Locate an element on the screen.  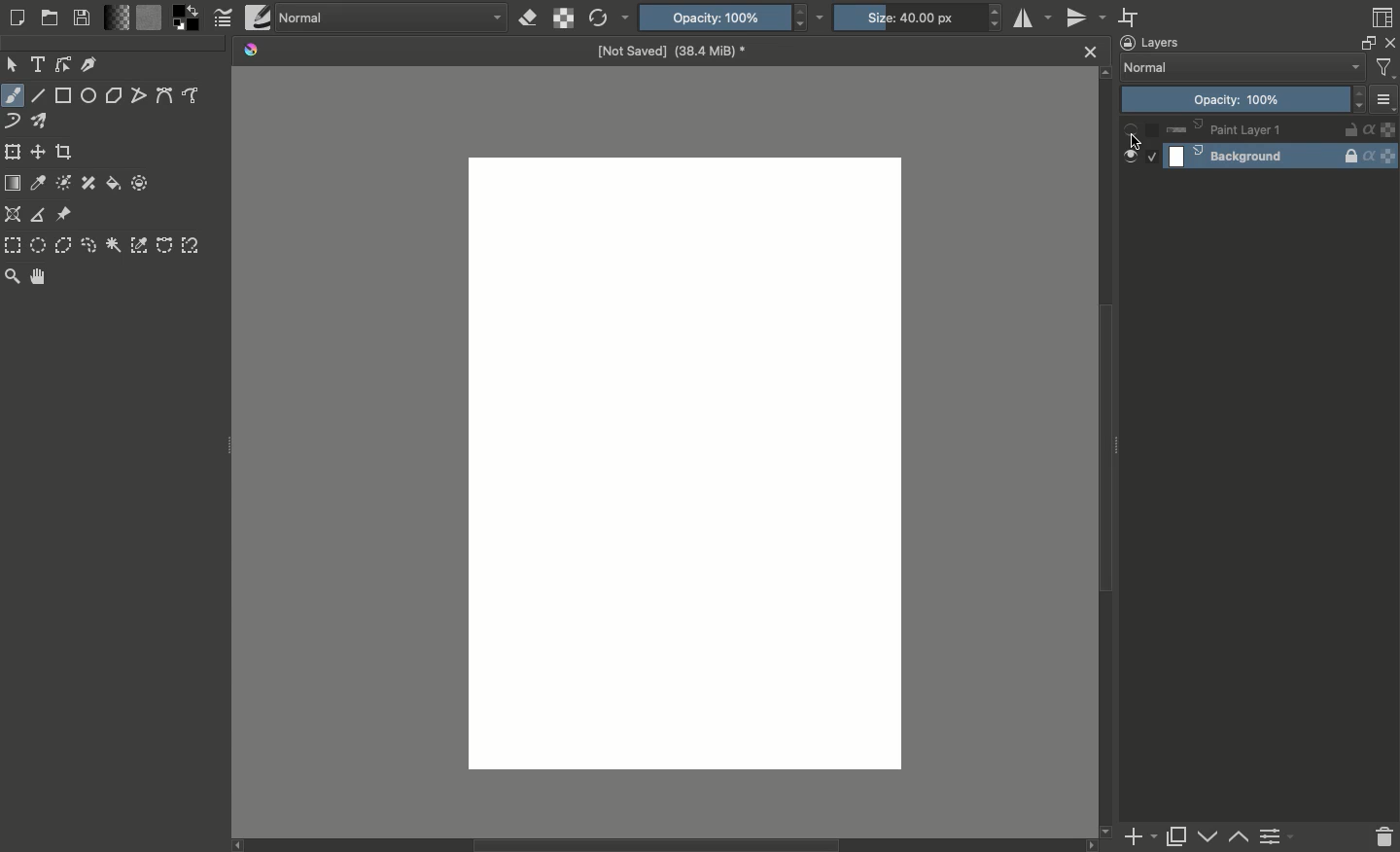
Foreground is located at coordinates (188, 18).